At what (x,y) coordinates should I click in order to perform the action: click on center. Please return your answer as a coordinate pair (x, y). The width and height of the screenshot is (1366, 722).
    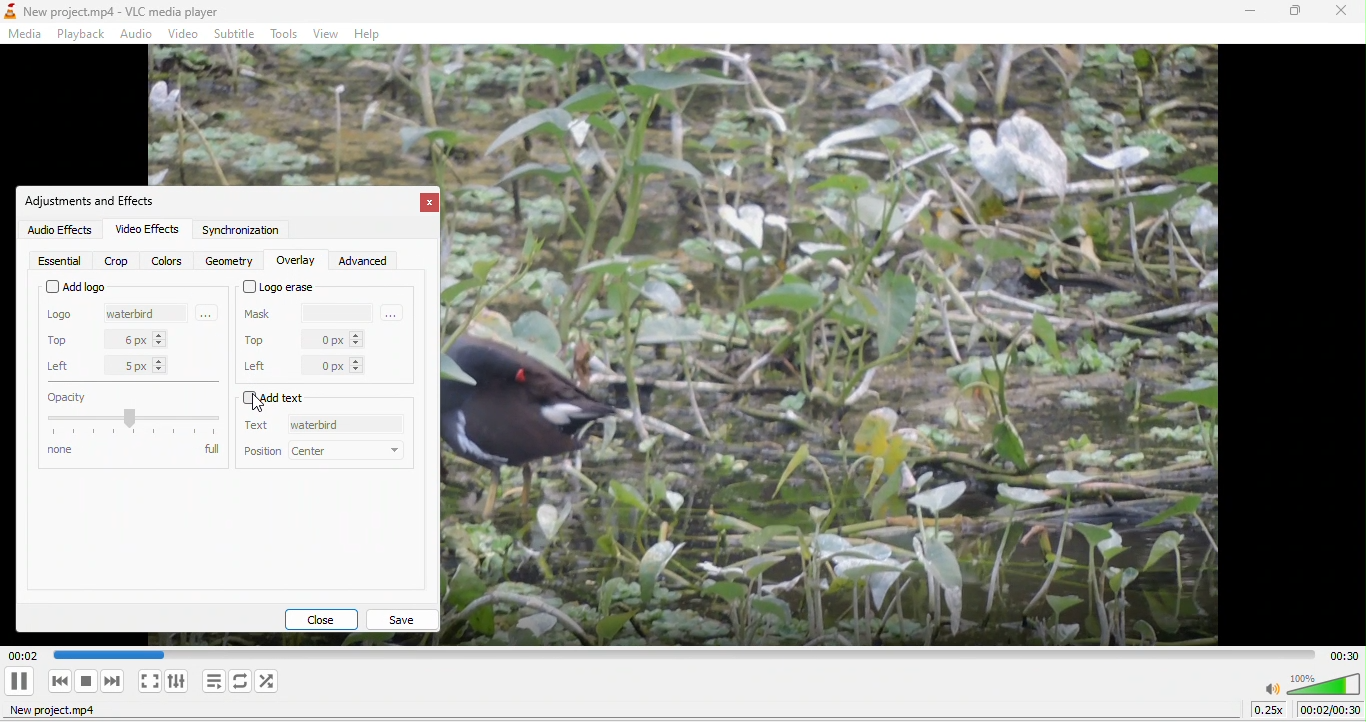
    Looking at the image, I should click on (348, 451).